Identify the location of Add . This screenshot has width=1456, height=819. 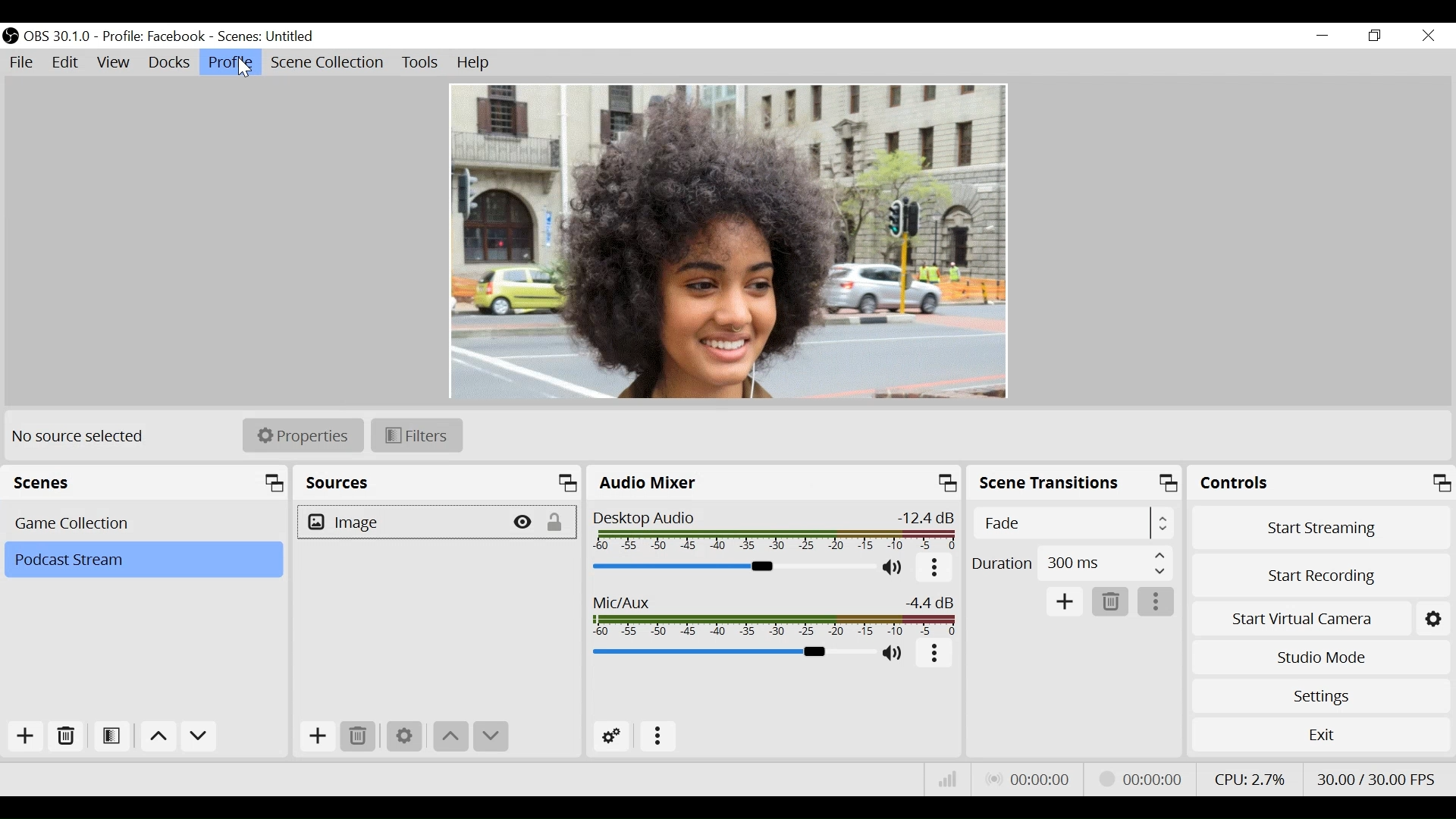
(1065, 603).